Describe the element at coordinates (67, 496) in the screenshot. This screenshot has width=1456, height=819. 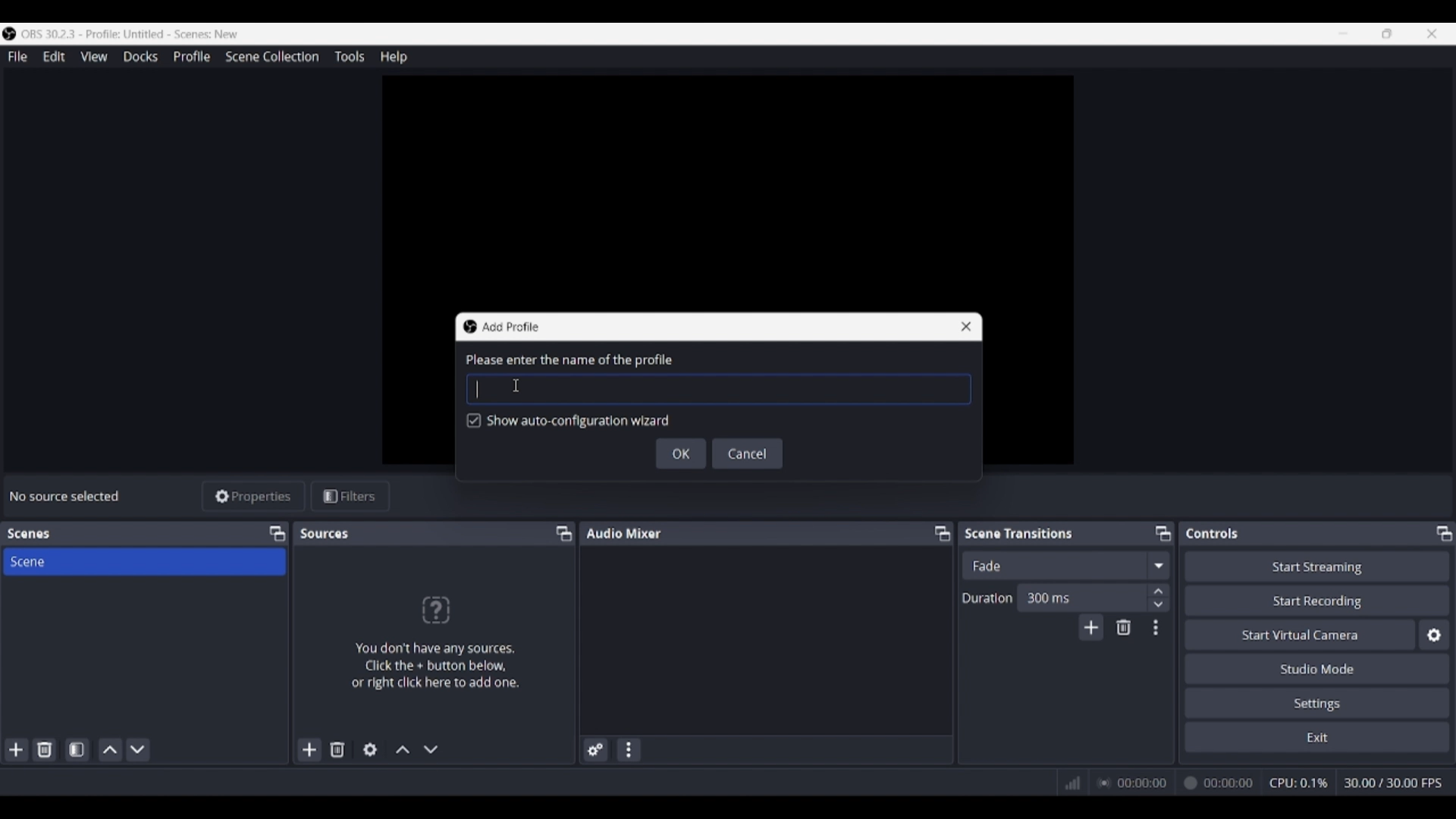
I see `Source status` at that location.